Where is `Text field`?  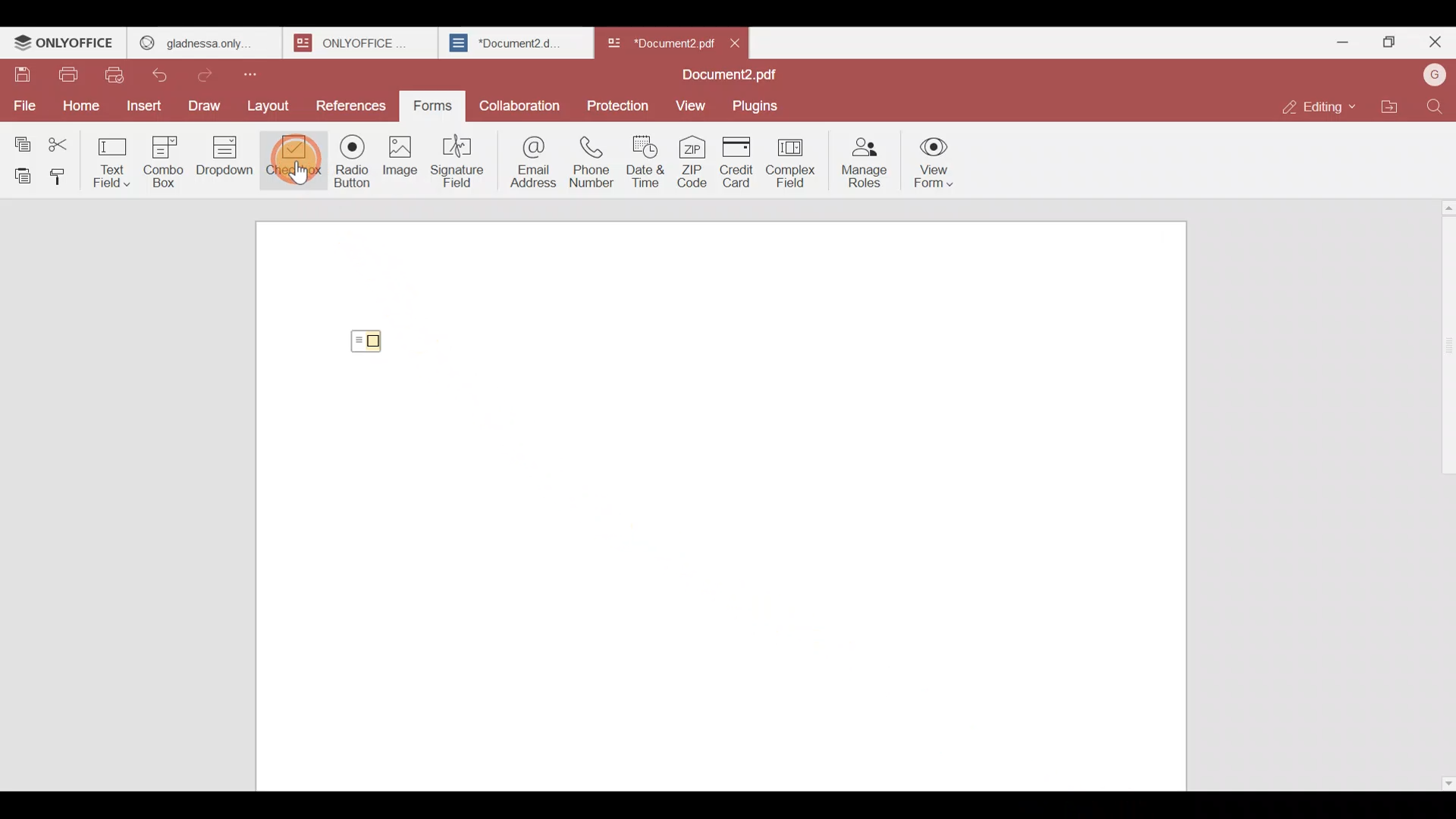 Text field is located at coordinates (115, 158).